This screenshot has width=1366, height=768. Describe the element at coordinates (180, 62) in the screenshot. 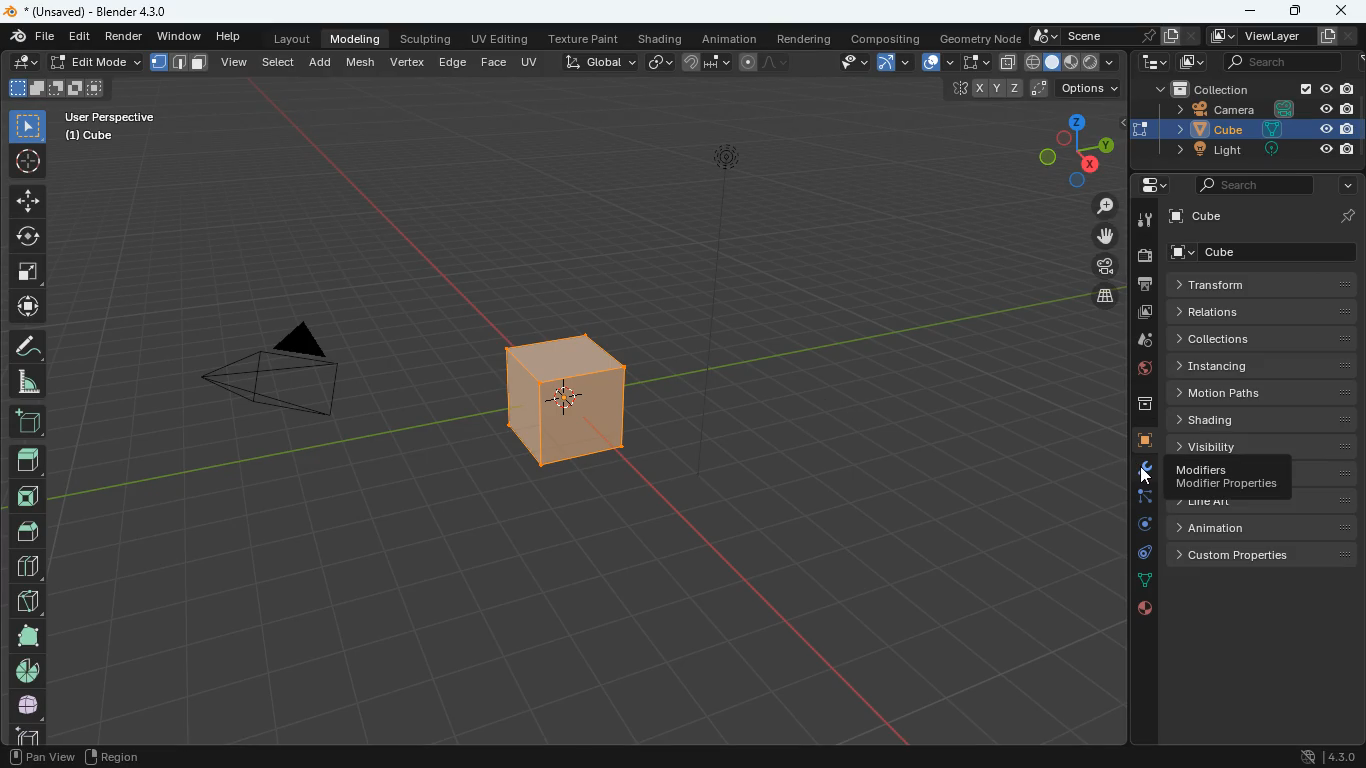

I see `shape` at that location.